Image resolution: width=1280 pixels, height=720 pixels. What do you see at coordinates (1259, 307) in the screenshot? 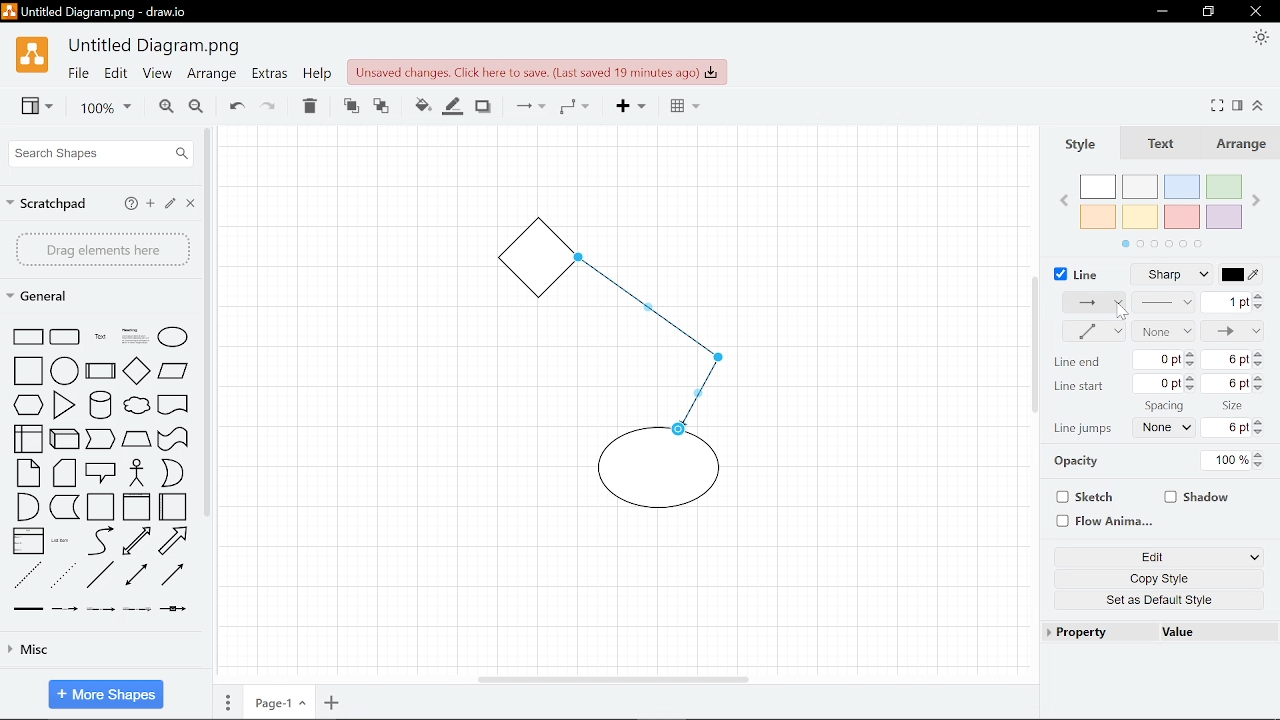
I see `Decrease thickness` at bounding box center [1259, 307].